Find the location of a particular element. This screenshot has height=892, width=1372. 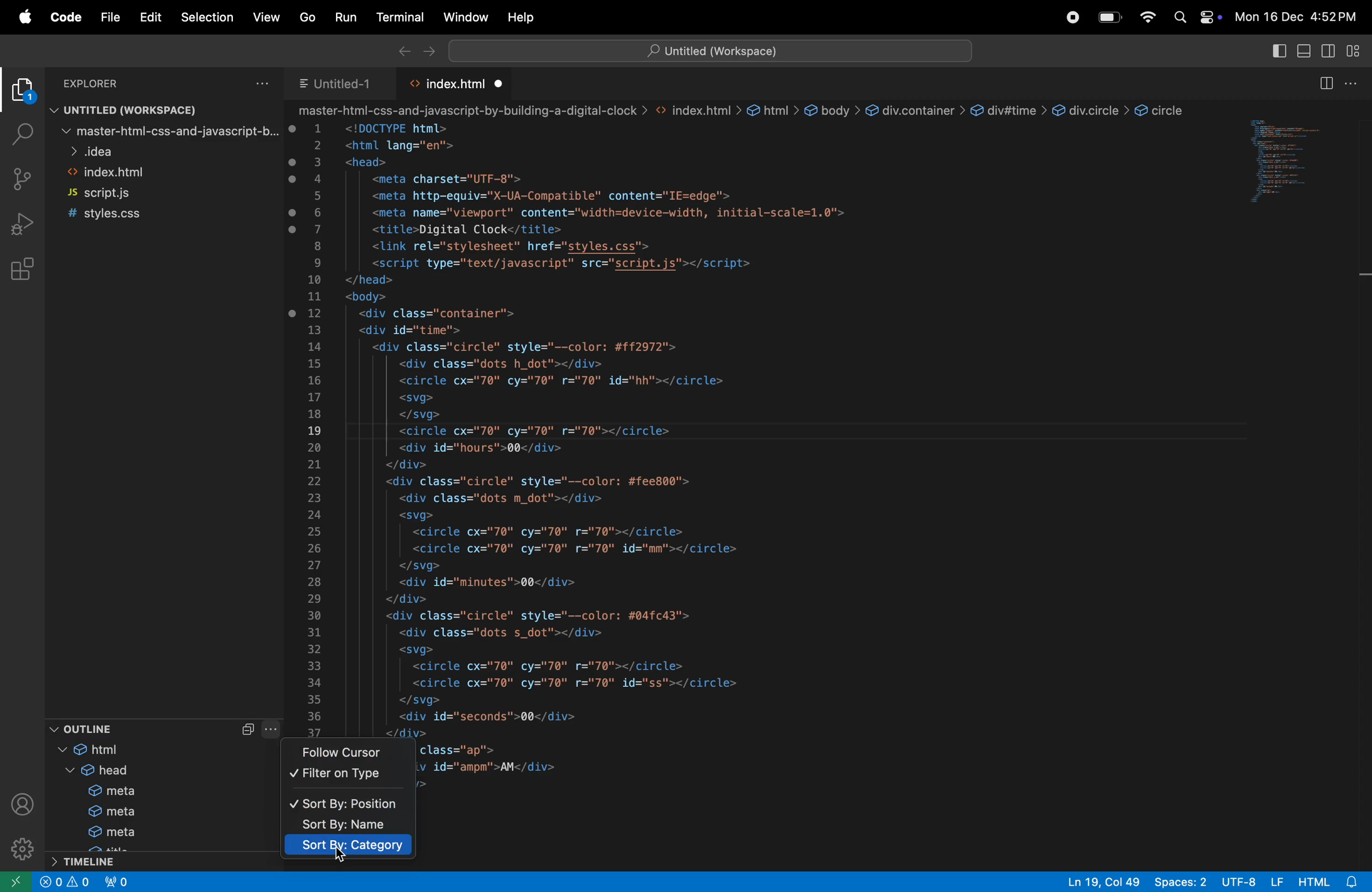

style css is located at coordinates (144, 214).